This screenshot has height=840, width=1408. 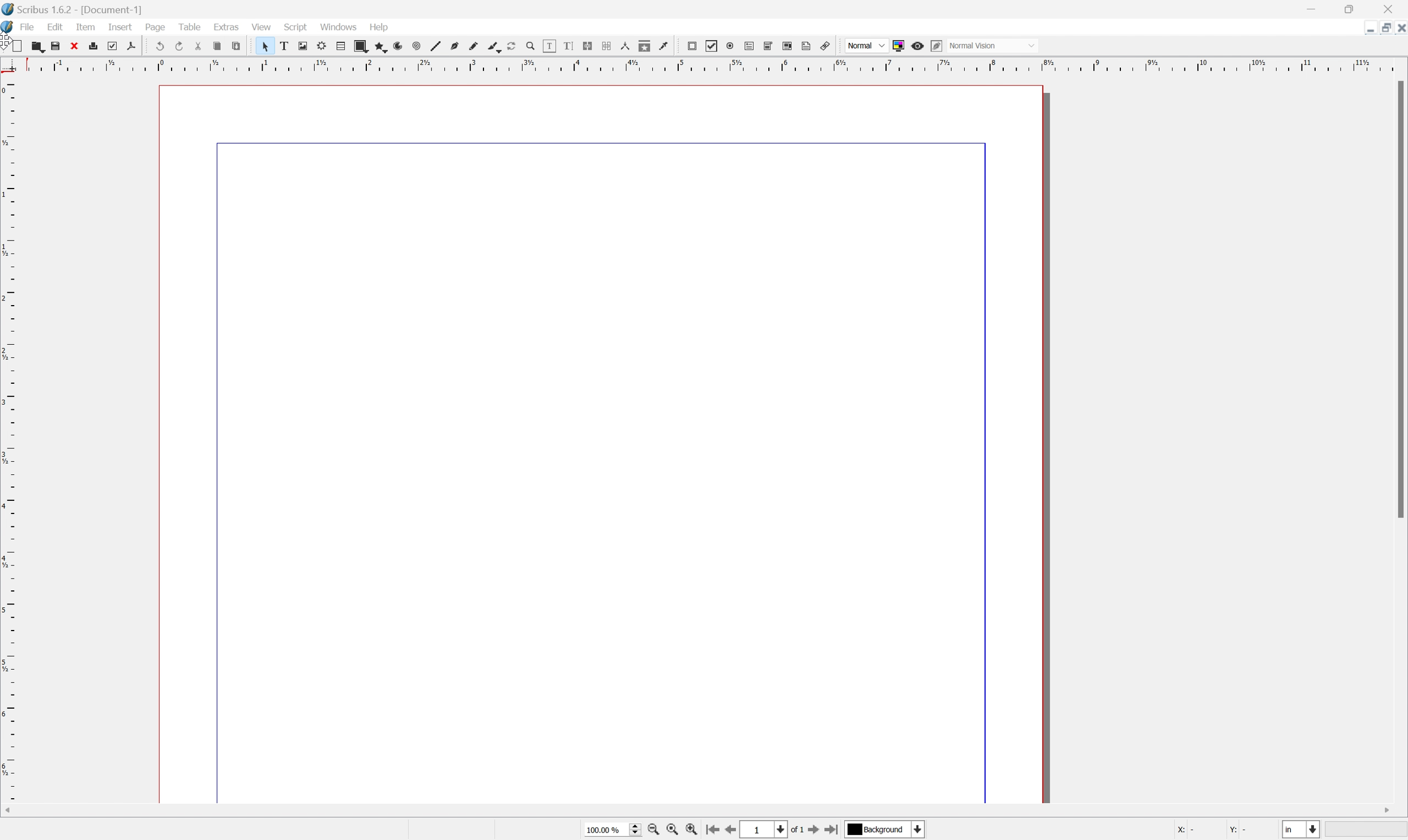 What do you see at coordinates (864, 44) in the screenshot?
I see `Normal` at bounding box center [864, 44].